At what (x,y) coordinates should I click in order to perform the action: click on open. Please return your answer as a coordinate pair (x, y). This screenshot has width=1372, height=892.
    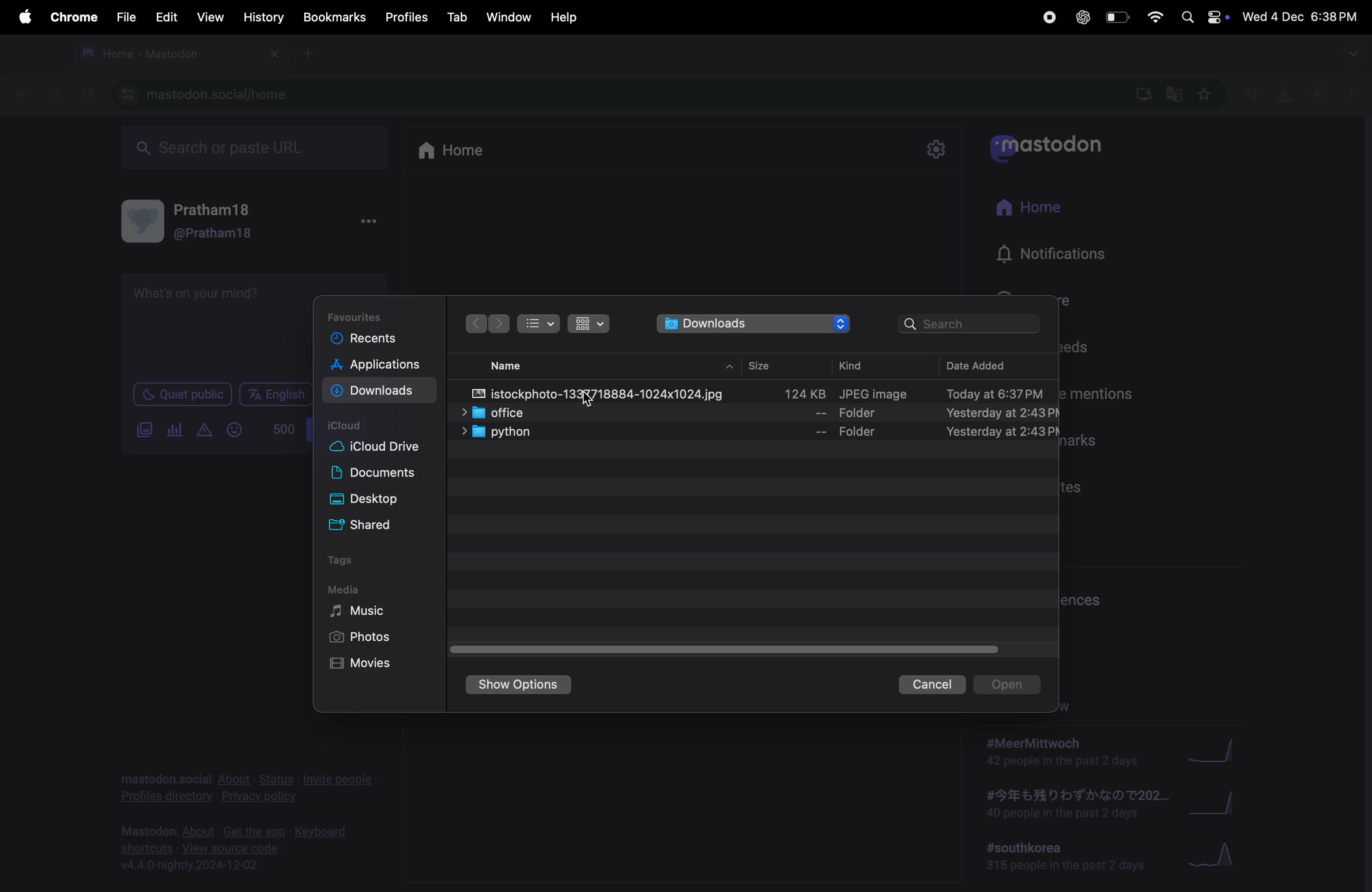
    Looking at the image, I should click on (1011, 683).